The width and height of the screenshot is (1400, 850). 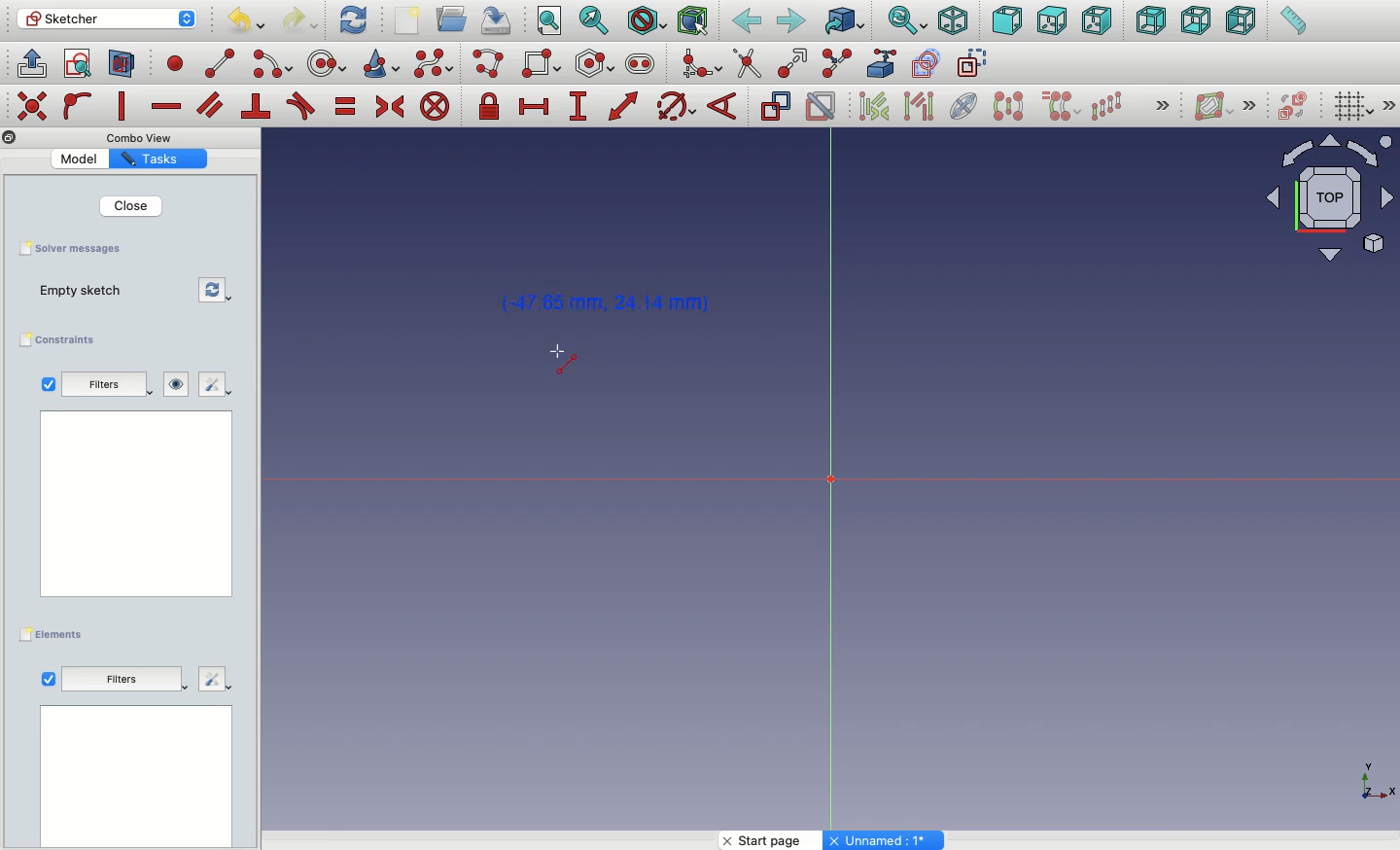 I want to click on Left, so click(x=1242, y=22).